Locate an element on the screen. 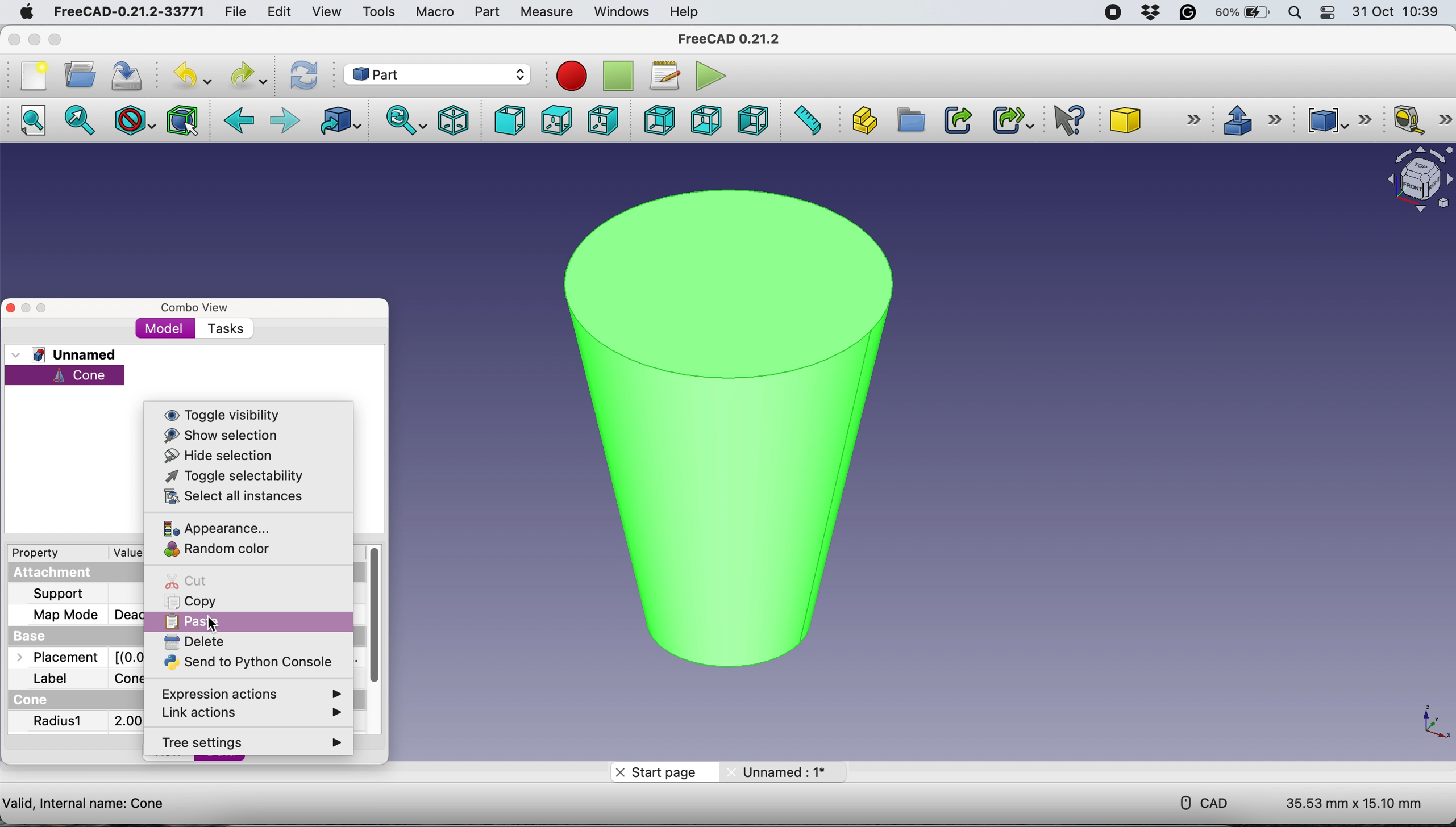  freecad 0.21.2 is located at coordinates (726, 39).